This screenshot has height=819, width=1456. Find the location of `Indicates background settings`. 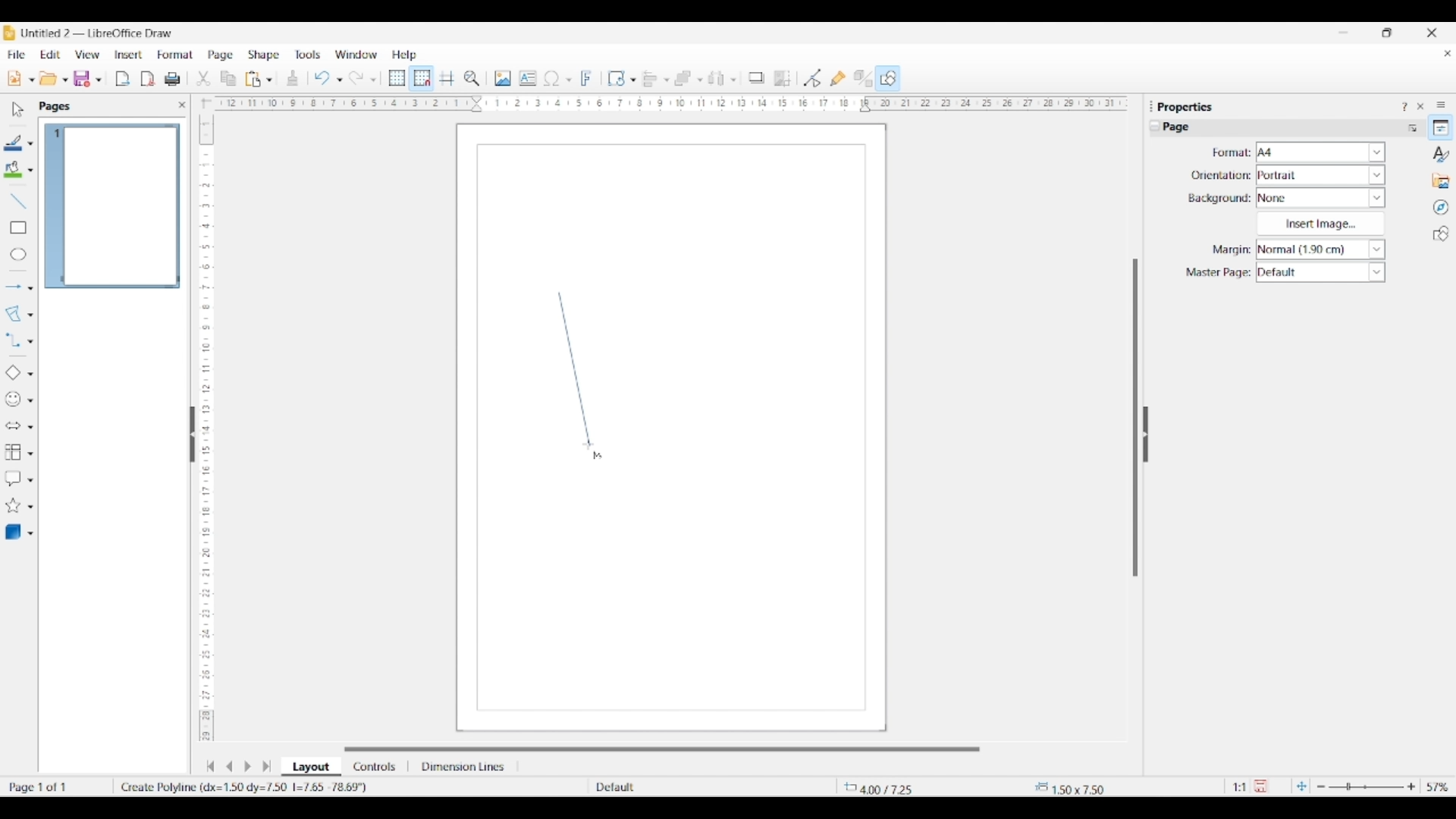

Indicates background settings is located at coordinates (1219, 199).